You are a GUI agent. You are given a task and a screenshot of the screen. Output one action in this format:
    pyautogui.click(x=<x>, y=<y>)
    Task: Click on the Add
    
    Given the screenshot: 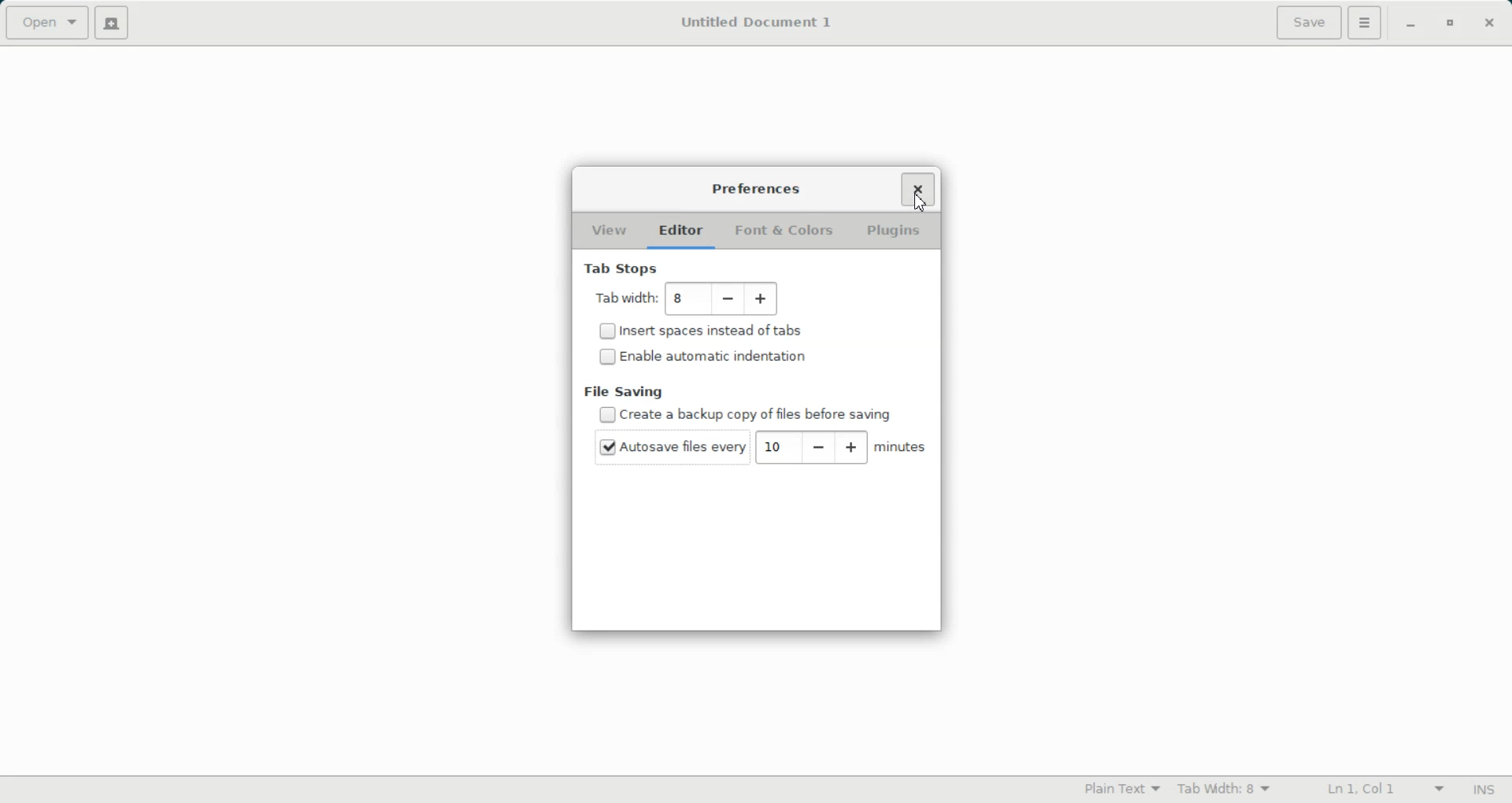 What is the action you would take?
    pyautogui.click(x=762, y=299)
    